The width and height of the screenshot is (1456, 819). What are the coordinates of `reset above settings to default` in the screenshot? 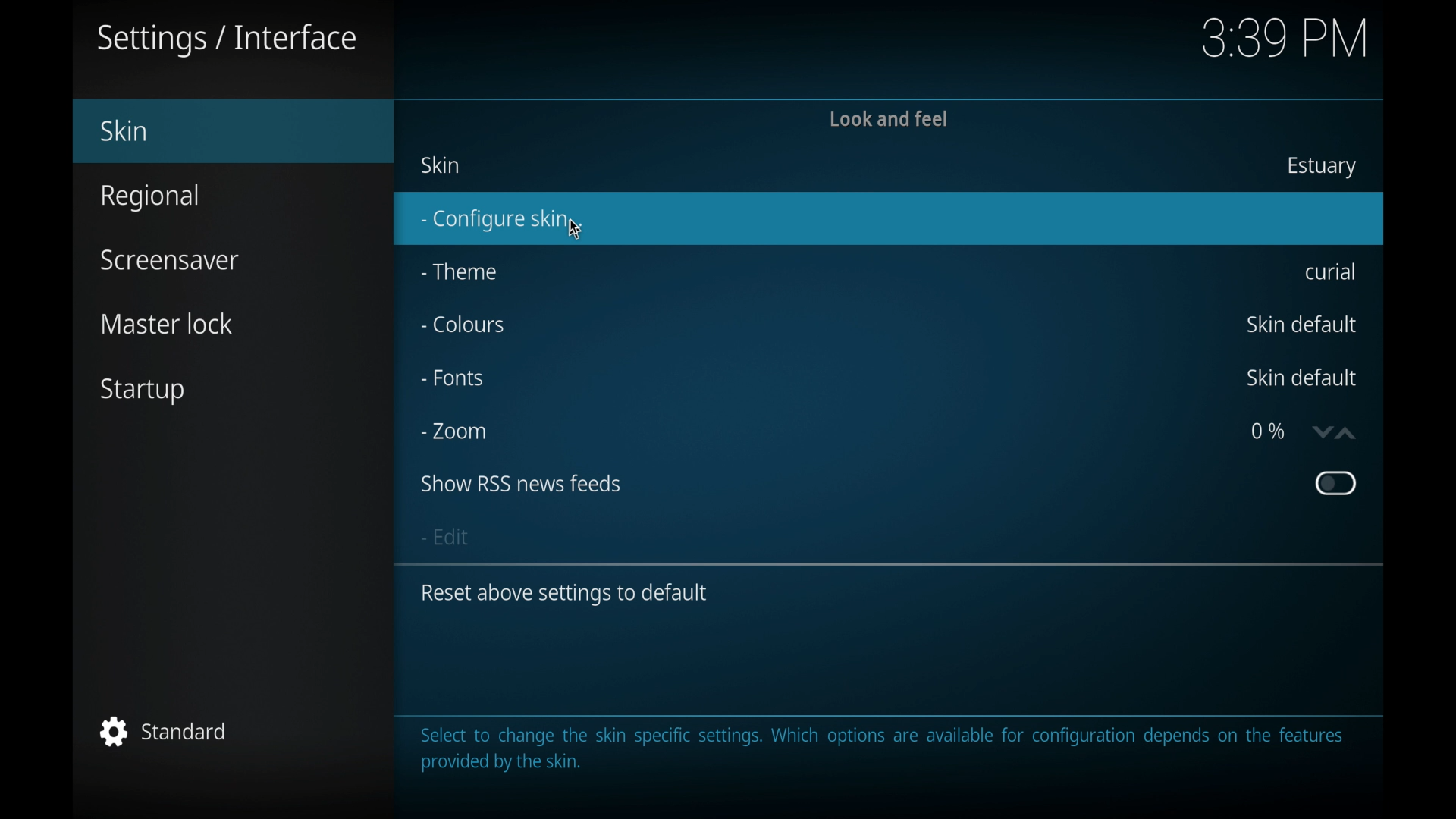 It's located at (564, 594).